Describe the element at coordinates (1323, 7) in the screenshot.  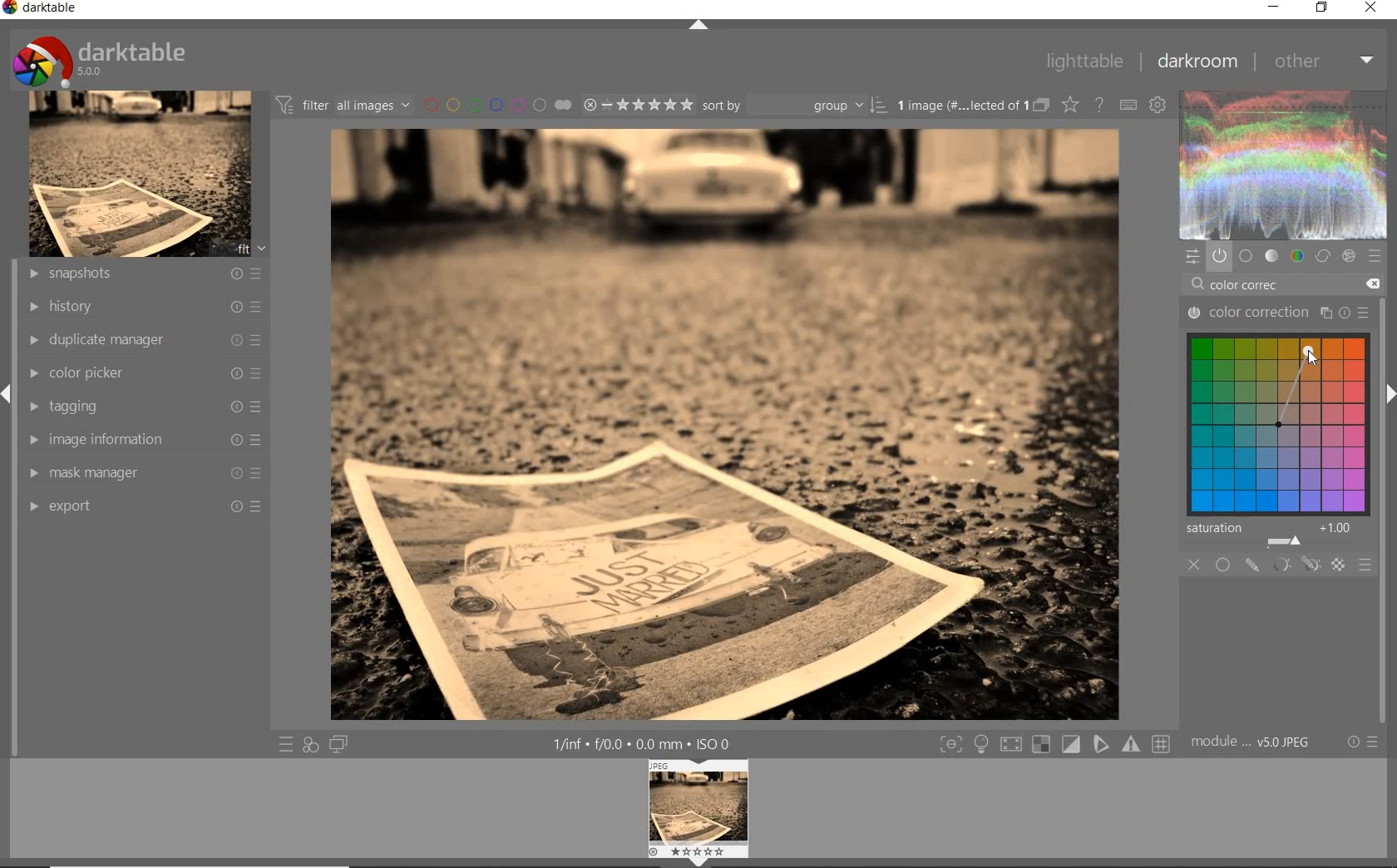
I see `restore` at that location.